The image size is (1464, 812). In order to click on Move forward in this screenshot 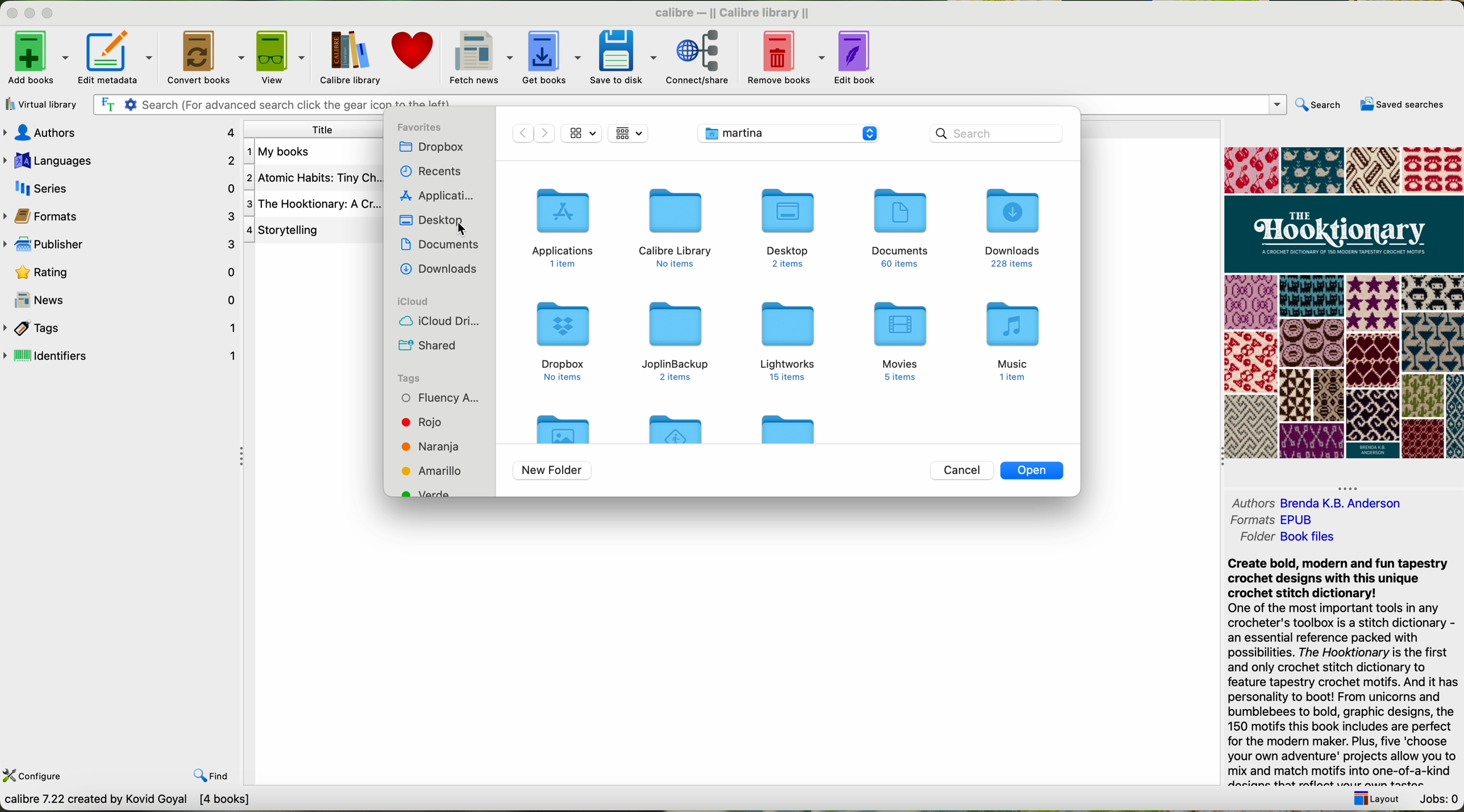, I will do `click(547, 136)`.